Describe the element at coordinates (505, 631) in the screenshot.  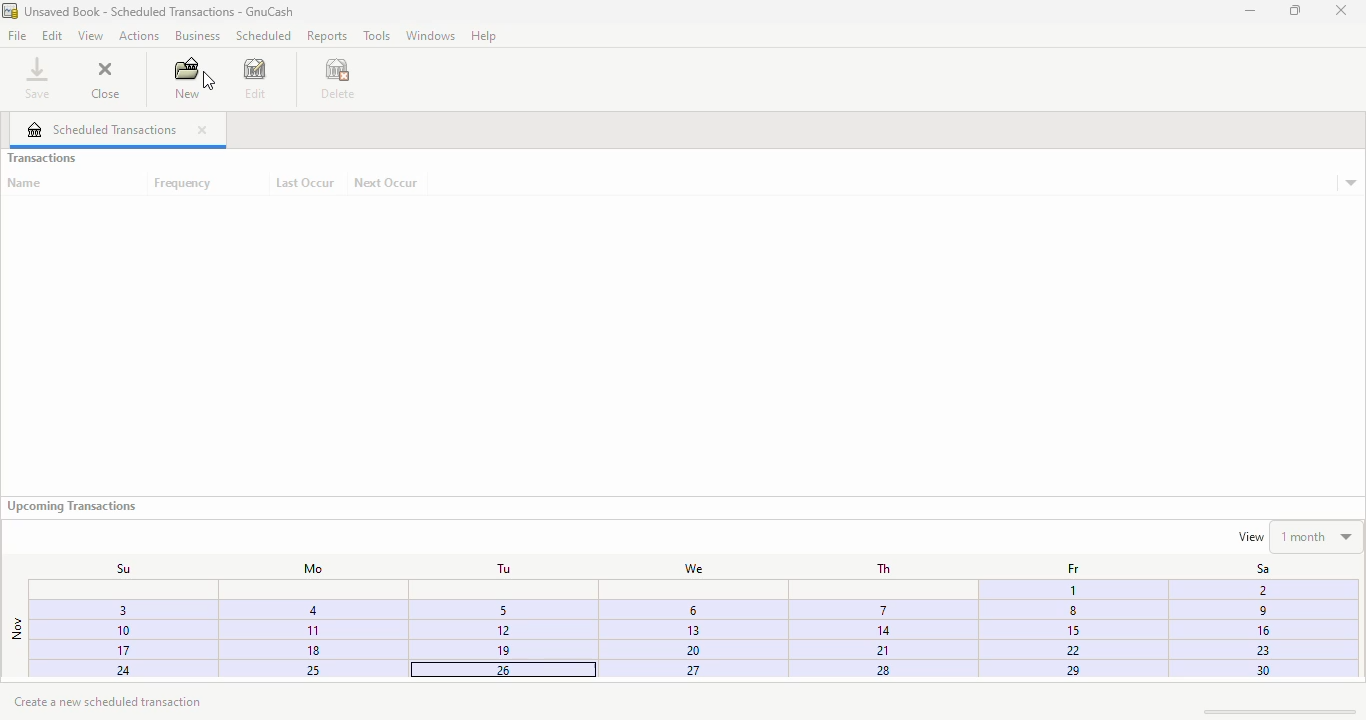
I see `12` at that location.